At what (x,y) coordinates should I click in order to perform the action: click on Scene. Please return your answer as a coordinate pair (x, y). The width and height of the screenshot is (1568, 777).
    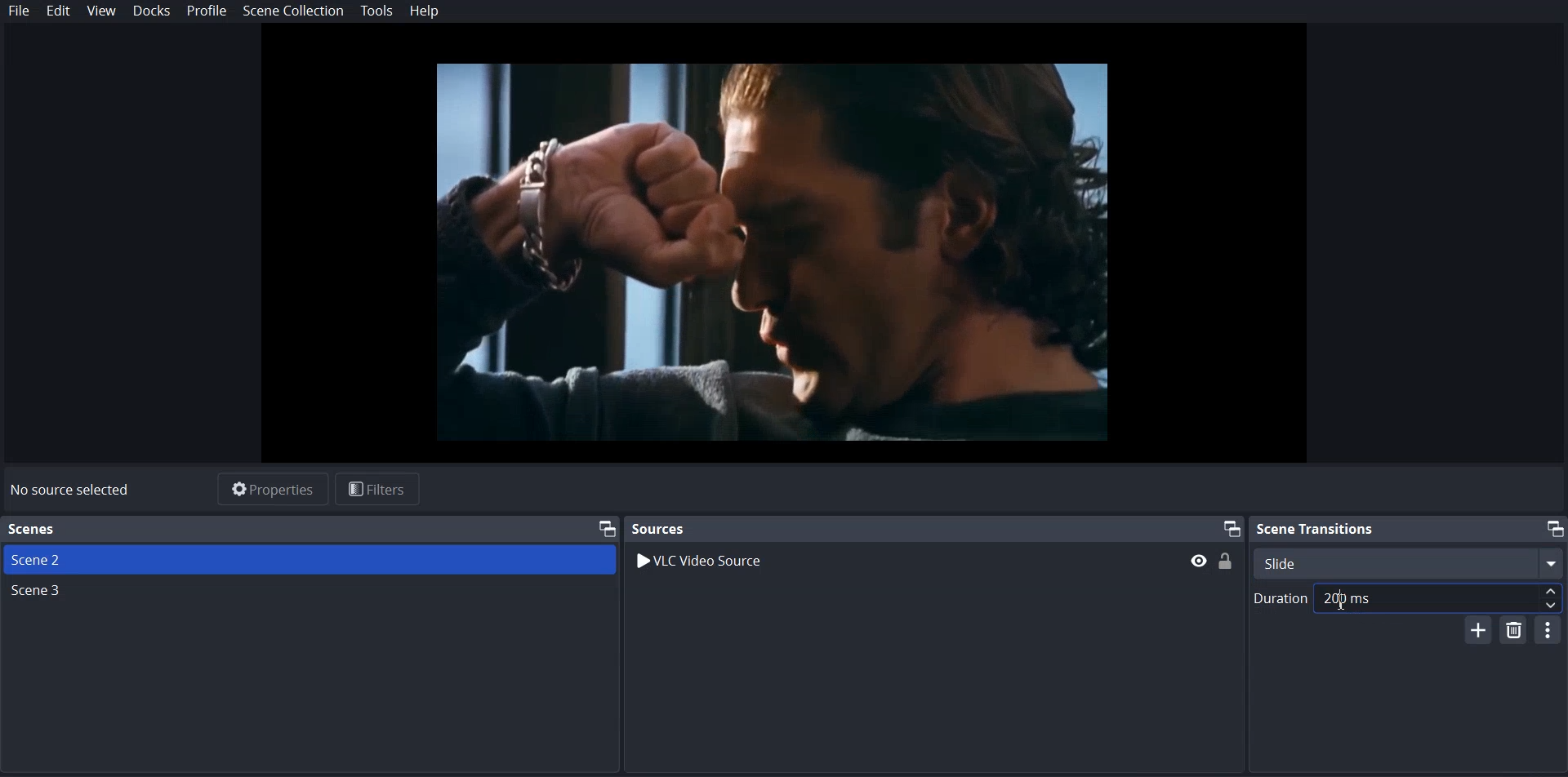
    Looking at the image, I should click on (309, 559).